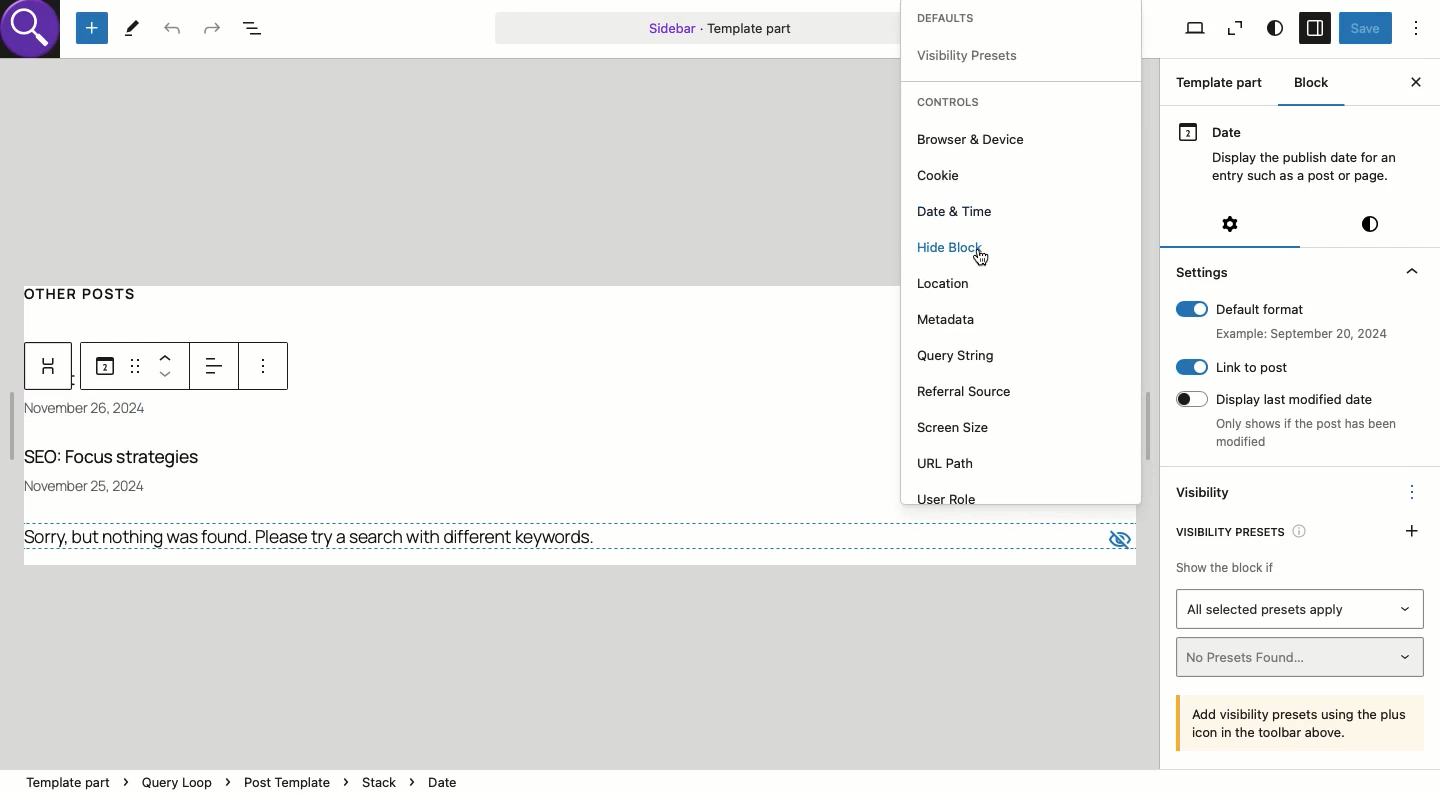 This screenshot has width=1440, height=794. I want to click on visibility, so click(970, 55).